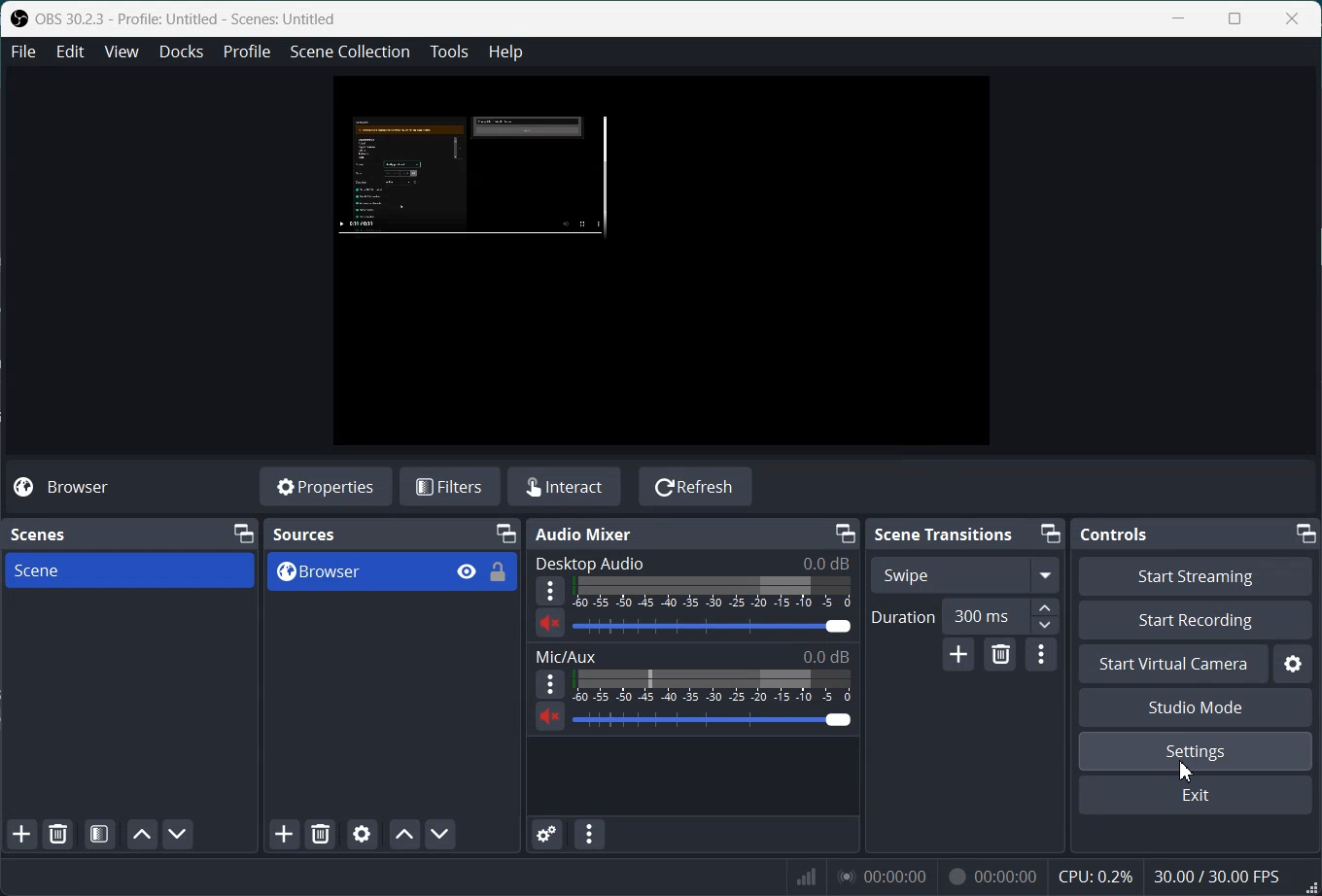  I want to click on Mic/Aux 0.0 dB, so click(691, 654).